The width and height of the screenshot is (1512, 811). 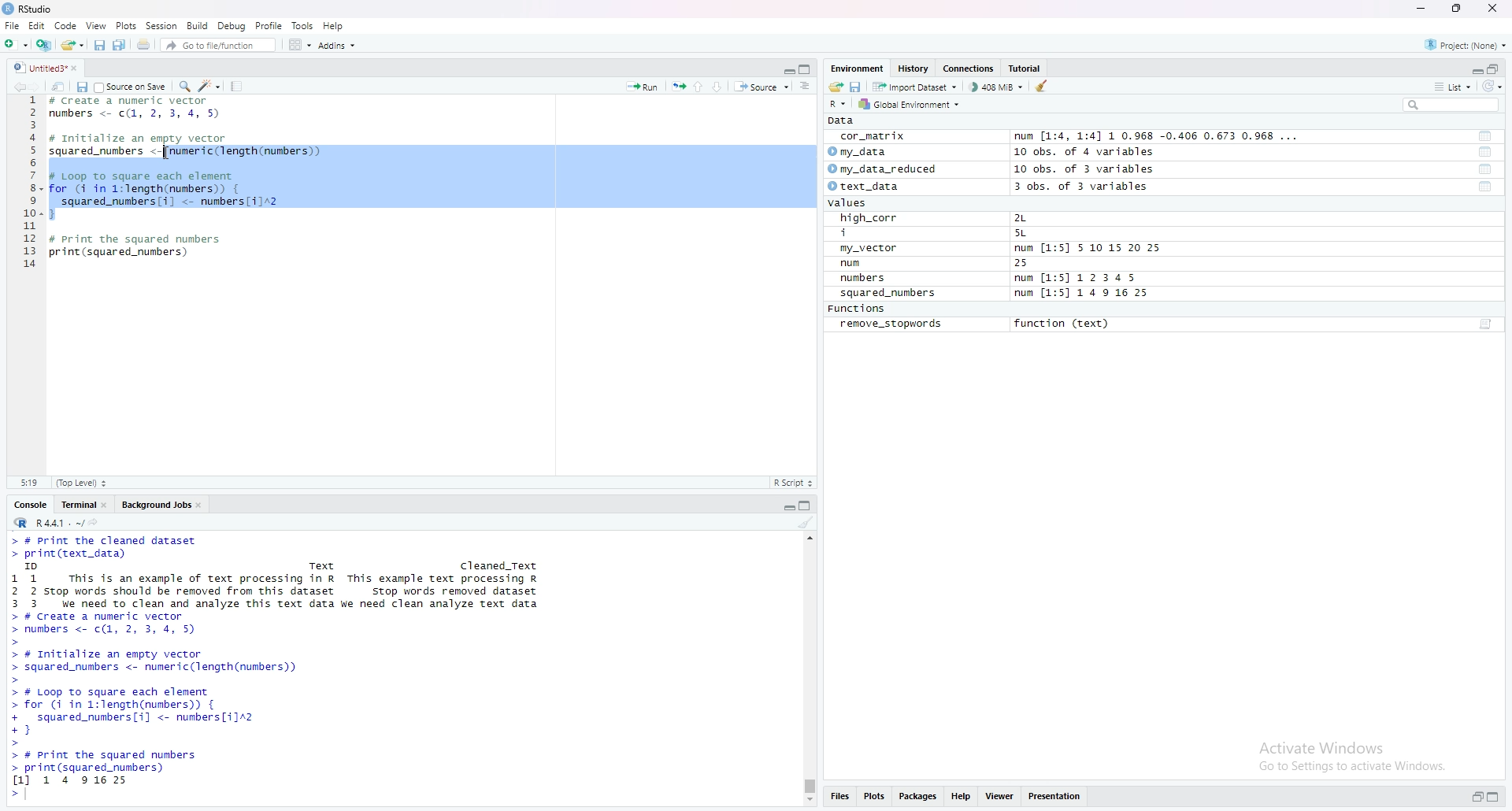 What do you see at coordinates (96, 25) in the screenshot?
I see `View` at bounding box center [96, 25].